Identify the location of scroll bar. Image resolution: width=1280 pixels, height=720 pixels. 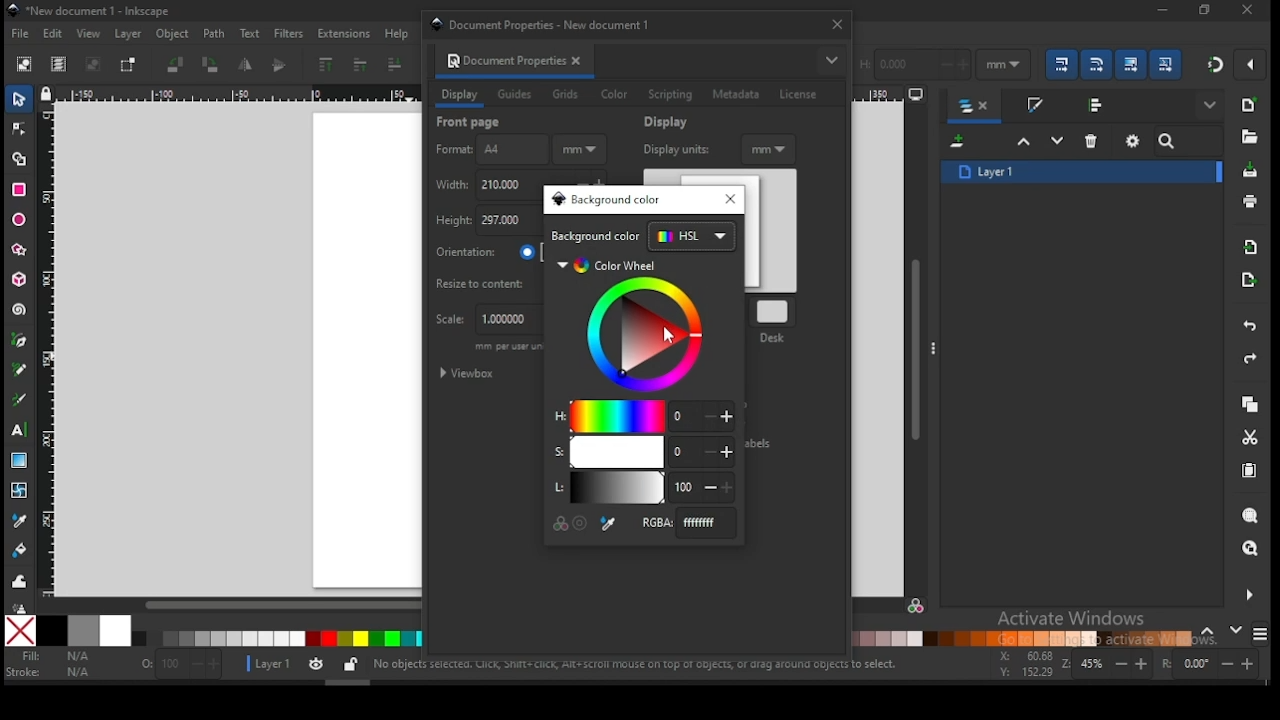
(230, 605).